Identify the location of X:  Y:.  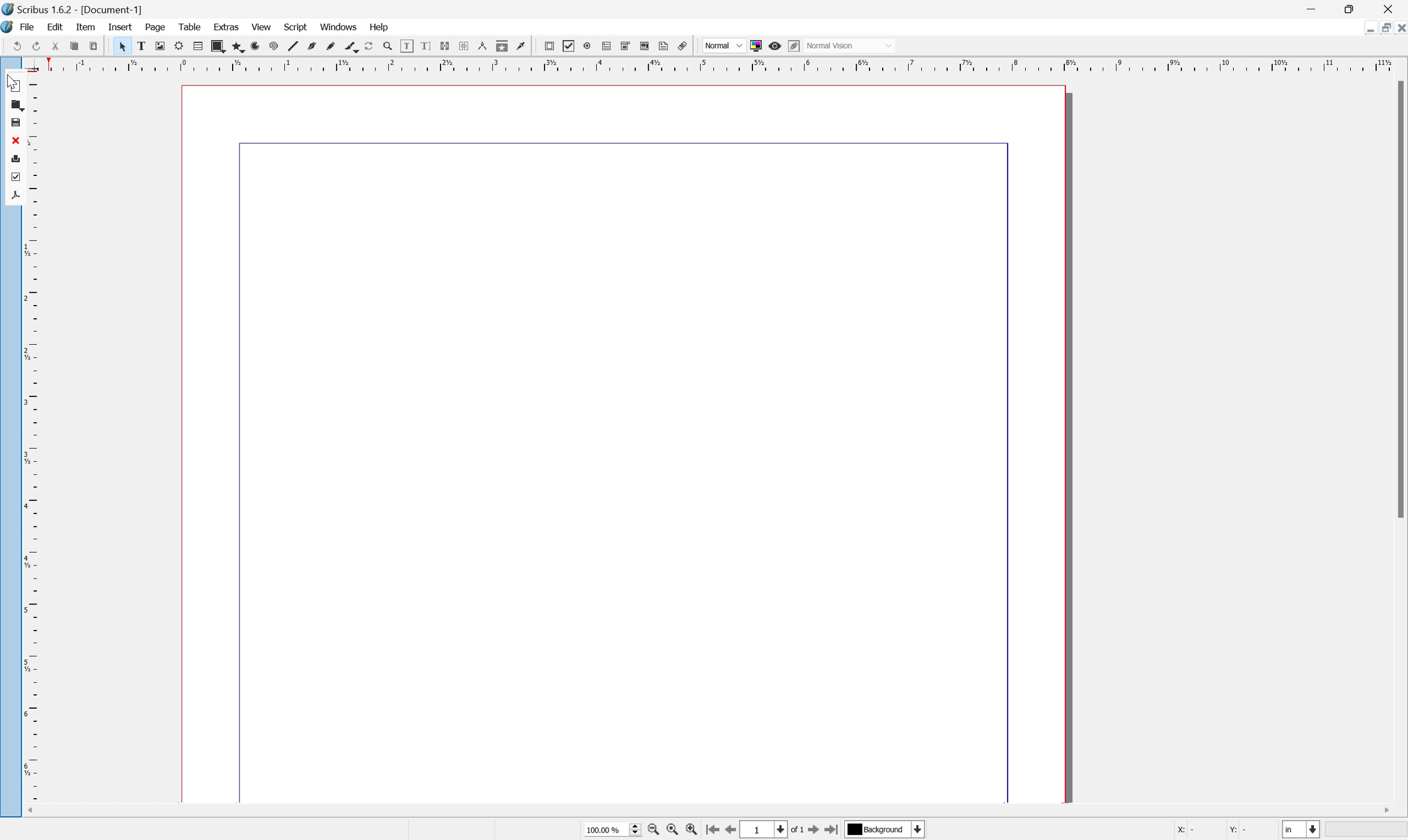
(1210, 829).